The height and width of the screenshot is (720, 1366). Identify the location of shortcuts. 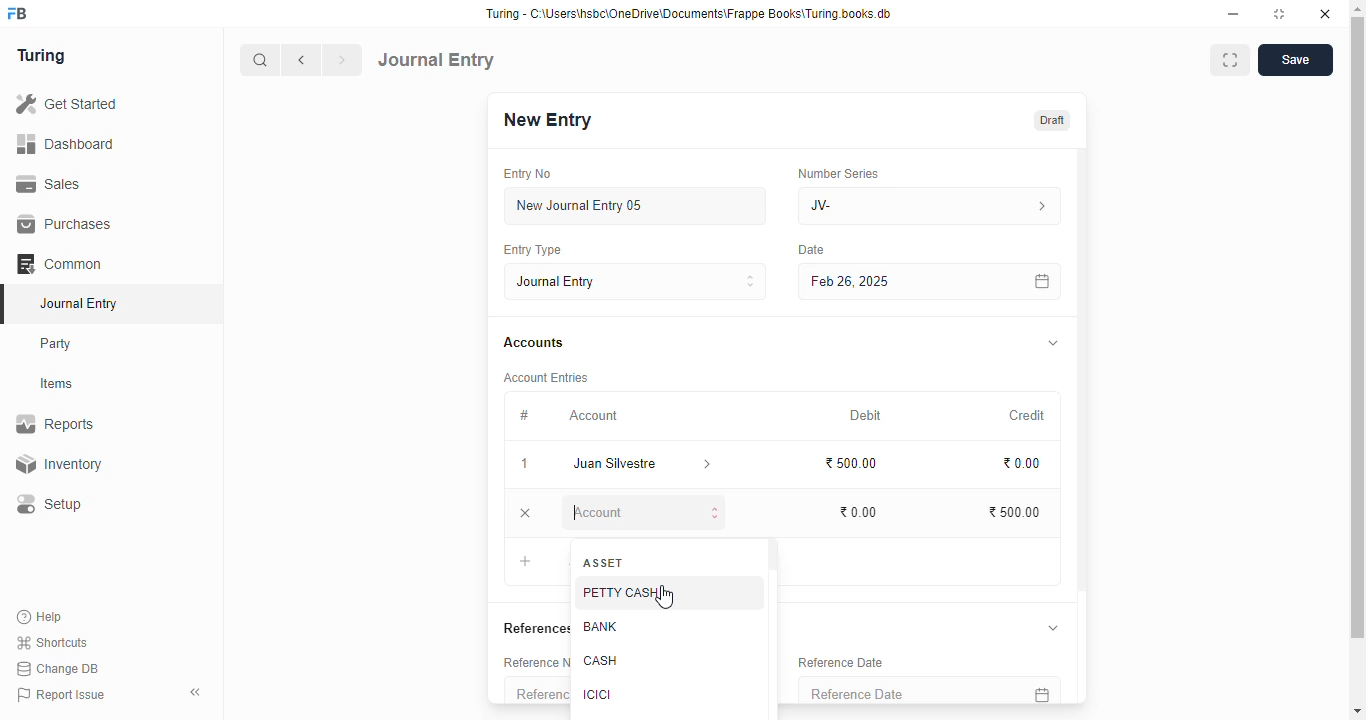
(52, 643).